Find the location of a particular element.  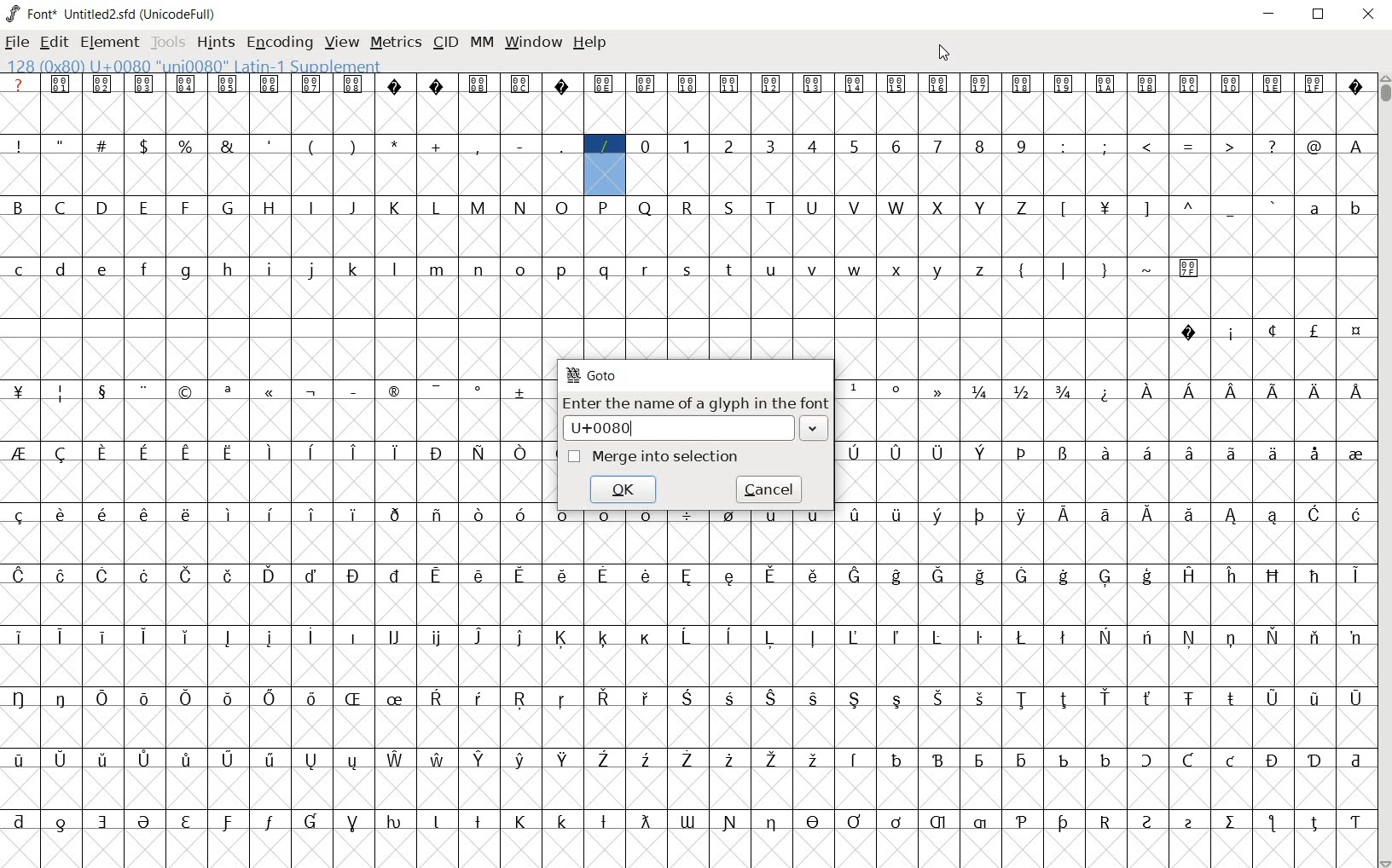

glyph is located at coordinates (394, 576).